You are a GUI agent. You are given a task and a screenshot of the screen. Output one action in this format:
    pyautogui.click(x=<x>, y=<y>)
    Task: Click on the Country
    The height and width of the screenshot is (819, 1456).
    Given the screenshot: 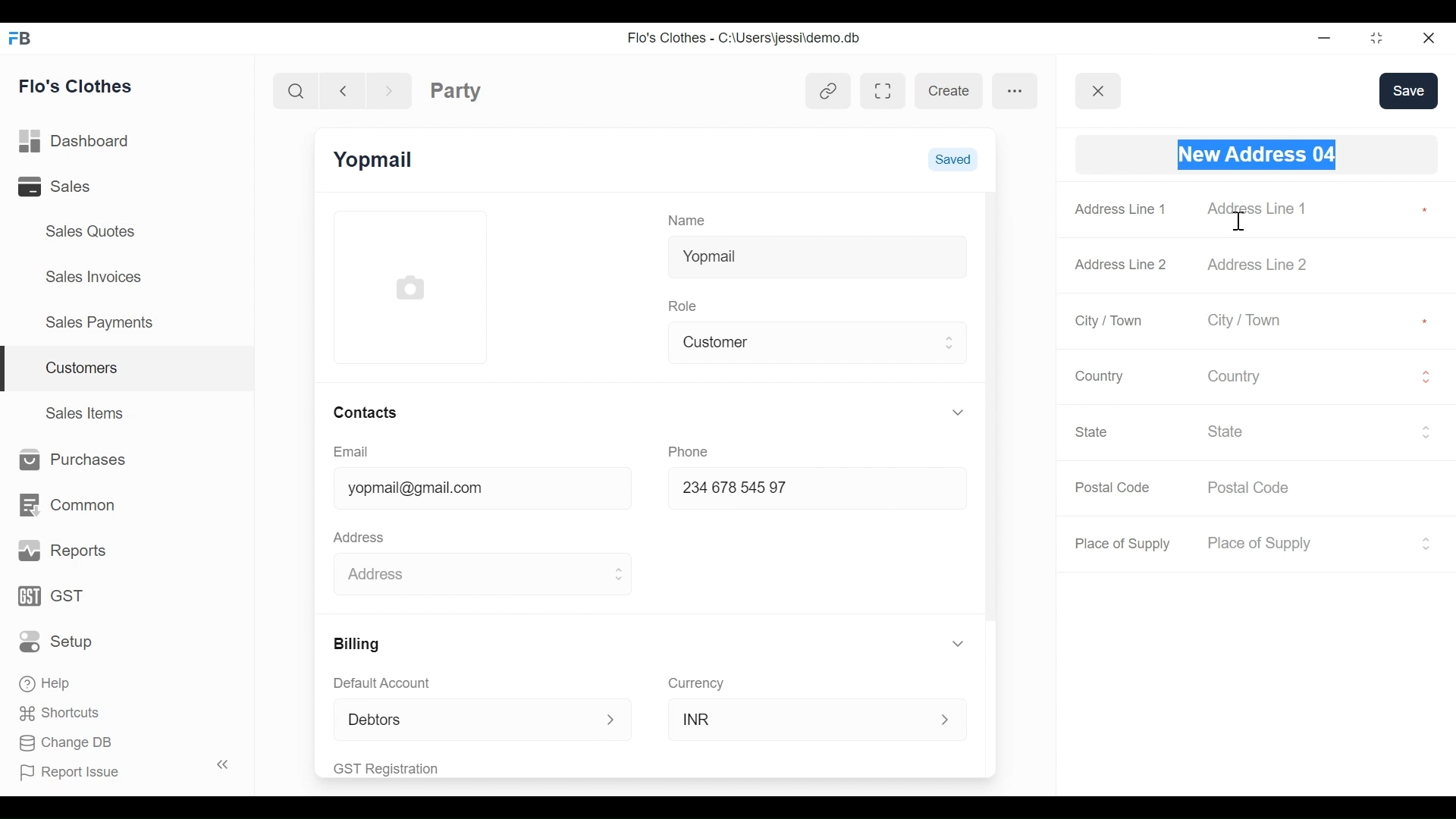 What is the action you would take?
    pyautogui.click(x=1307, y=375)
    